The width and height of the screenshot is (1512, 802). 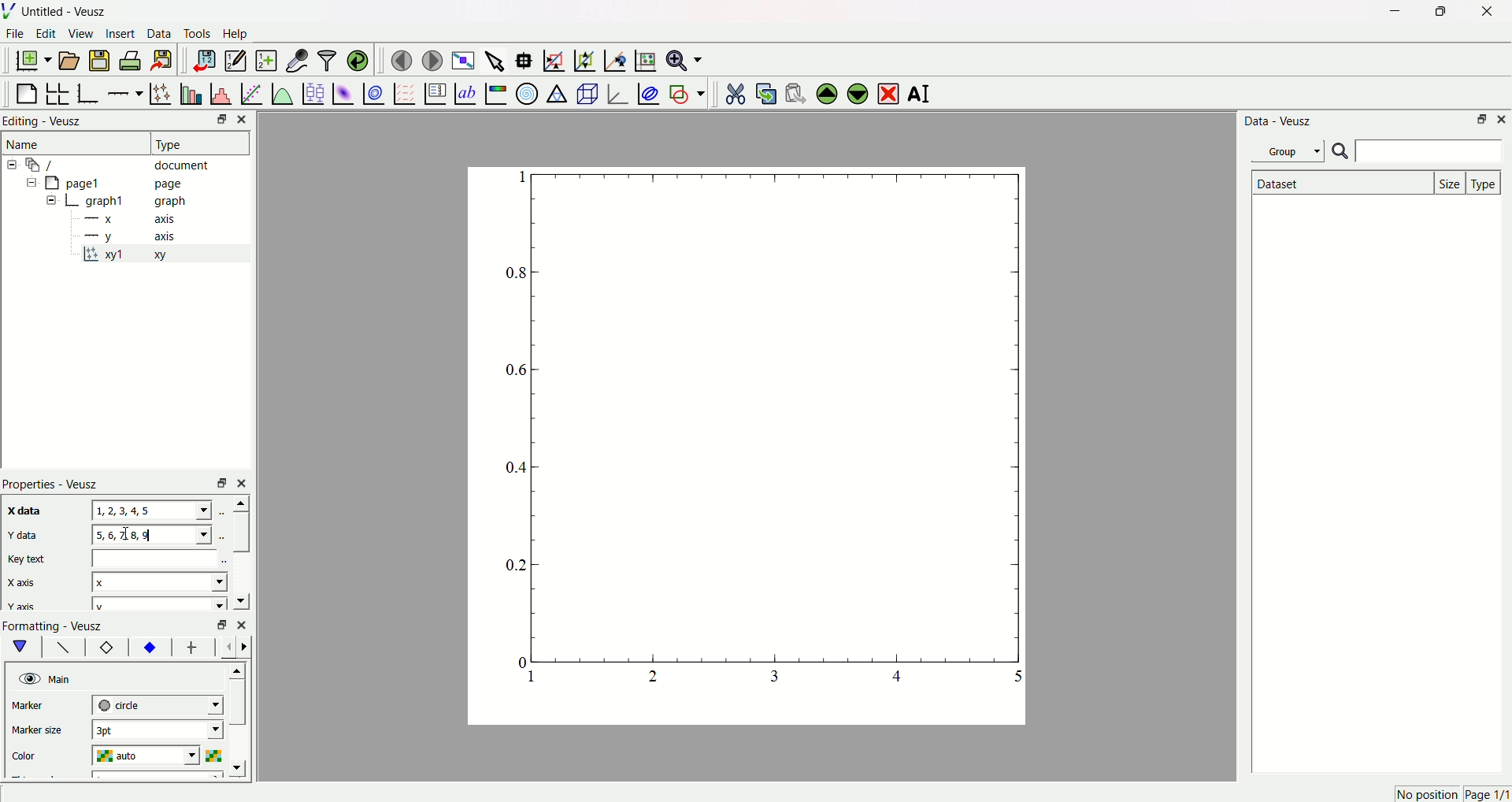 I want to click on move down, so click(x=241, y=768).